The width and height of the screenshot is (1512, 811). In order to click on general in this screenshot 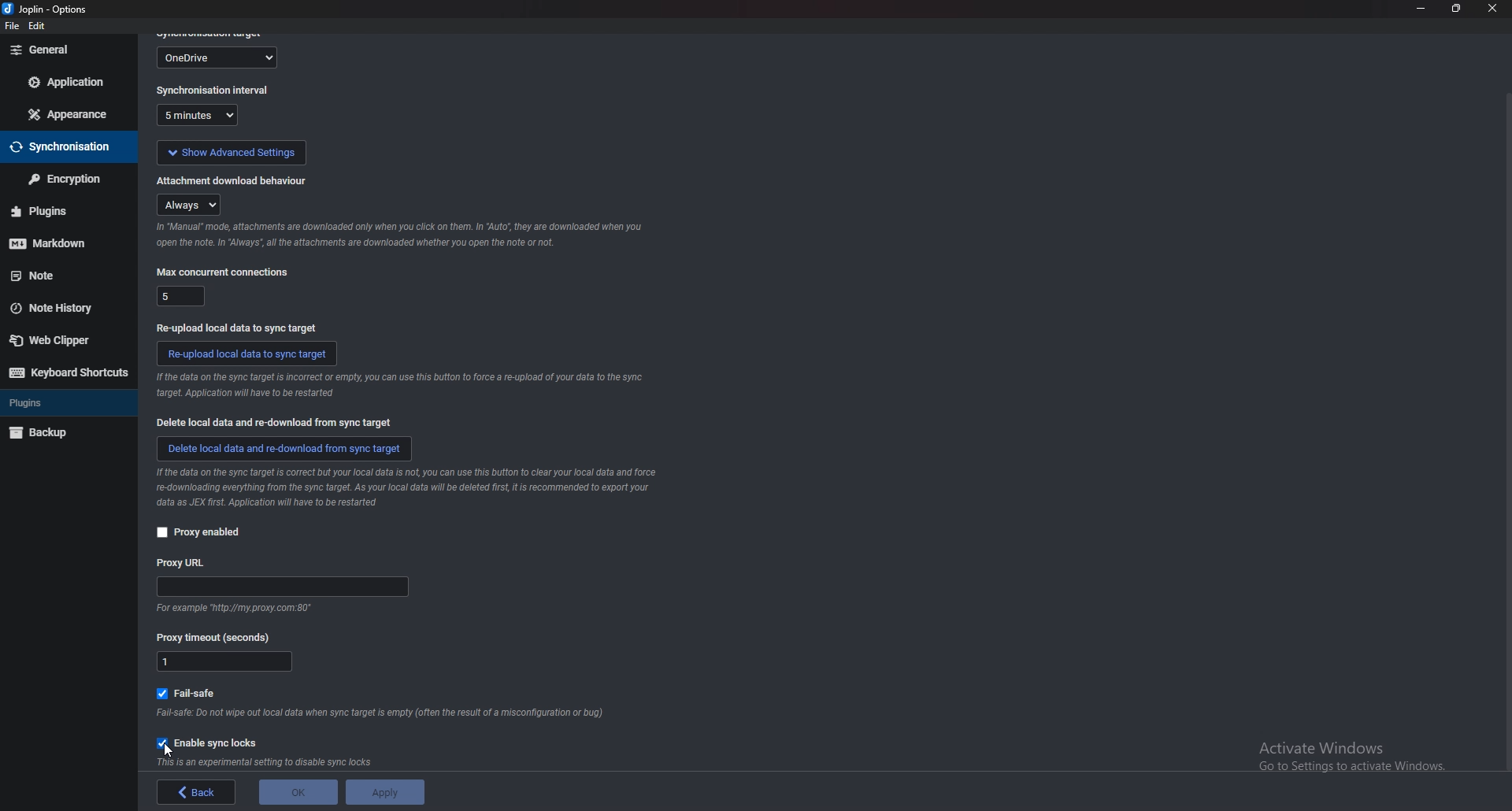, I will do `click(69, 50)`.